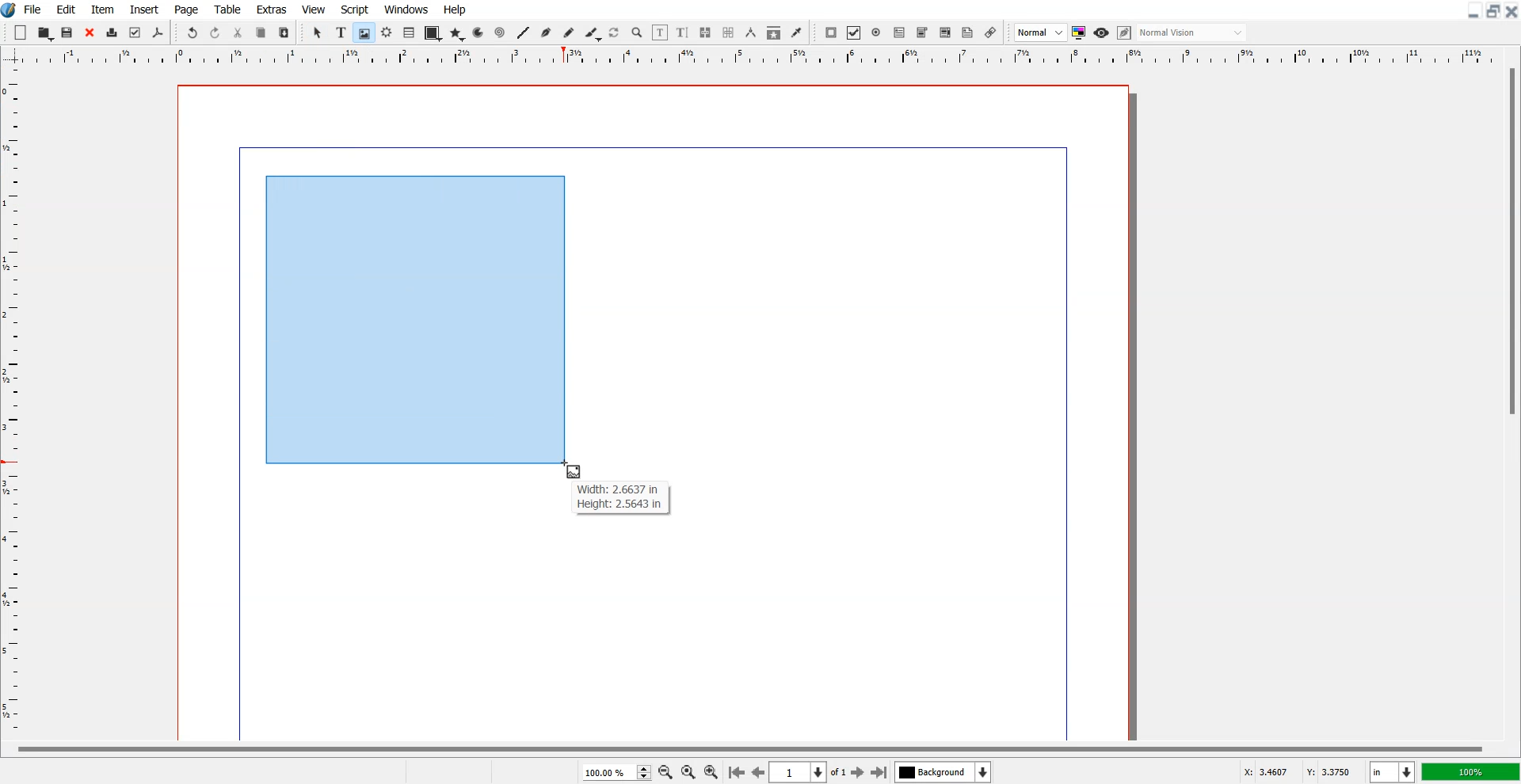 The image size is (1521, 784). I want to click on Edit in preview mode, so click(1125, 32).